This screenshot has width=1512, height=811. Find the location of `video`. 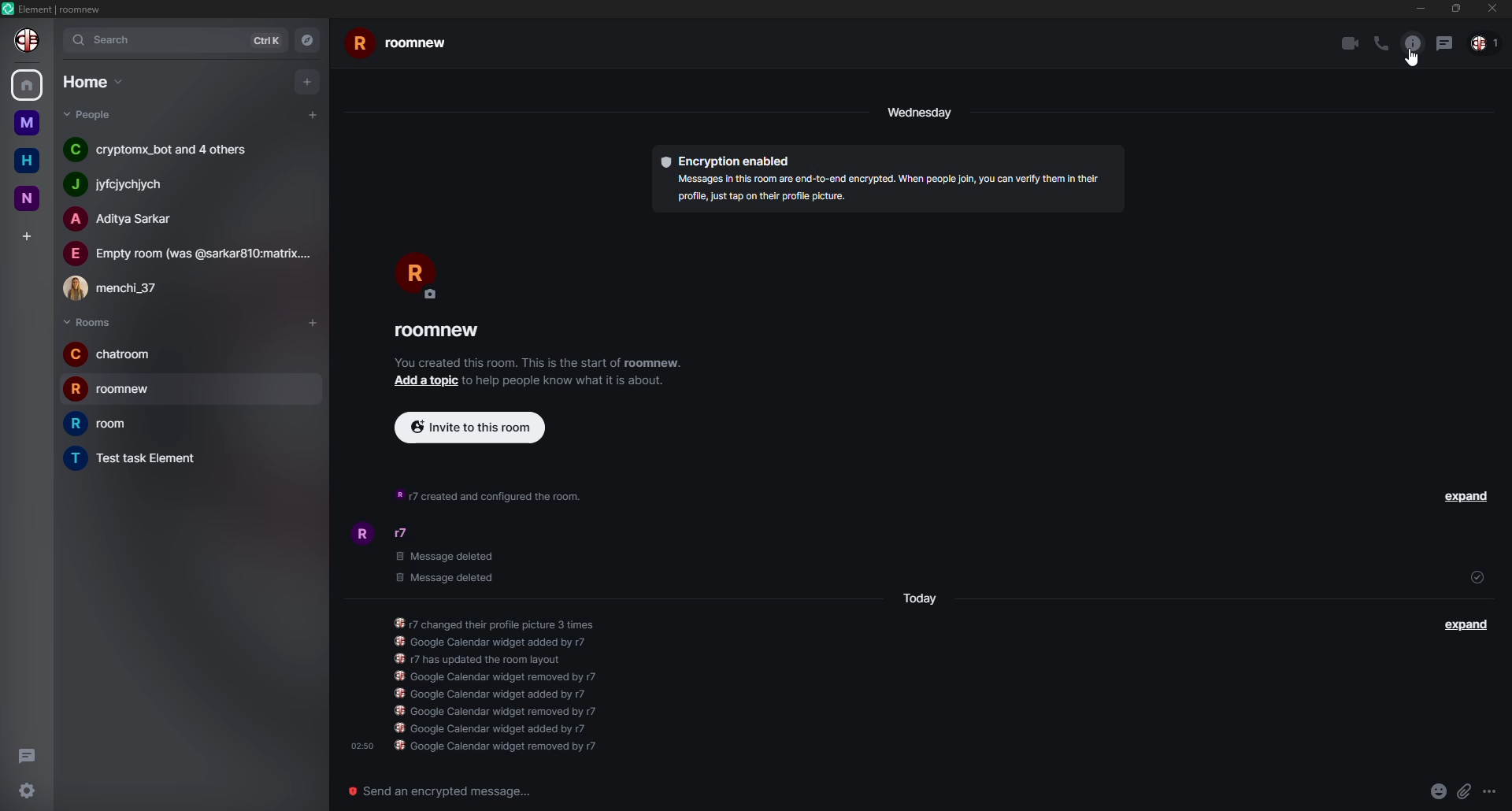

video is located at coordinates (1347, 43).